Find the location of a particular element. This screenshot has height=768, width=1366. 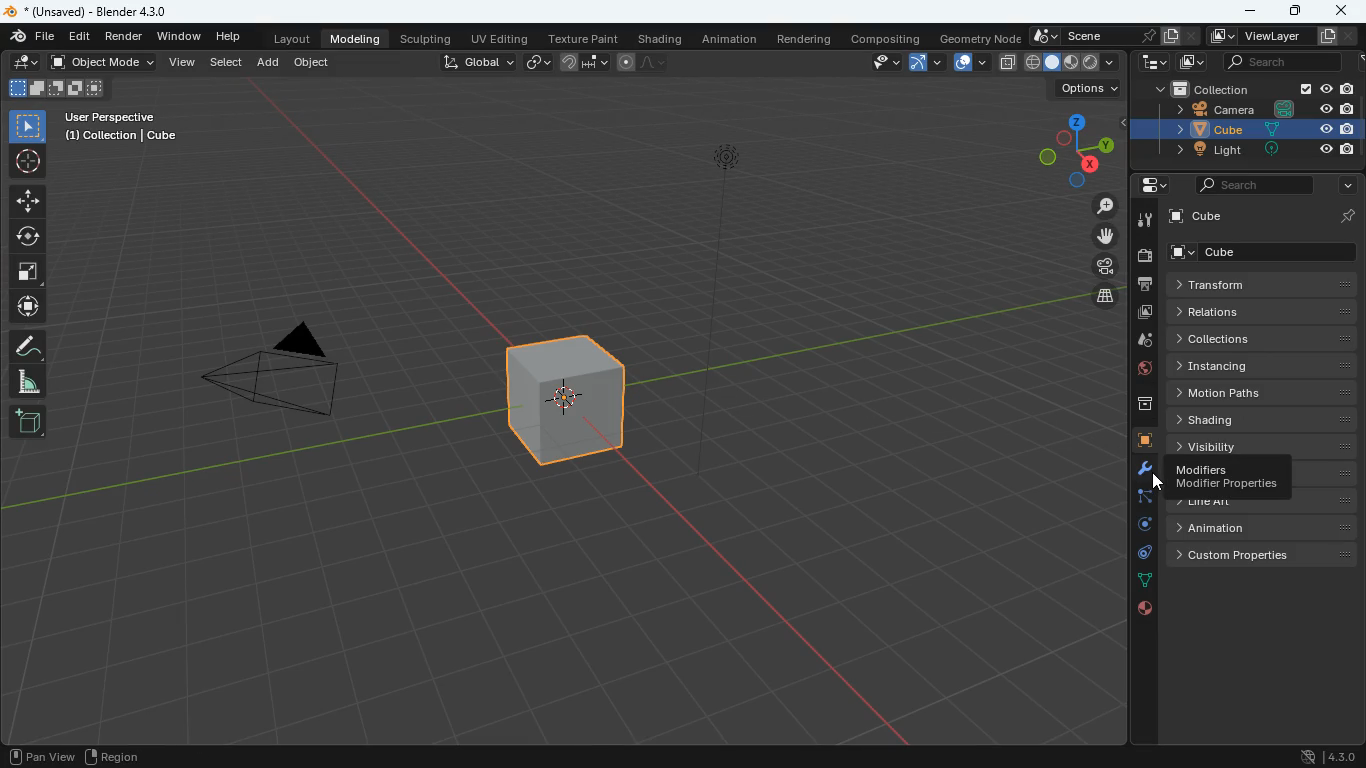

move is located at coordinates (1110, 235).